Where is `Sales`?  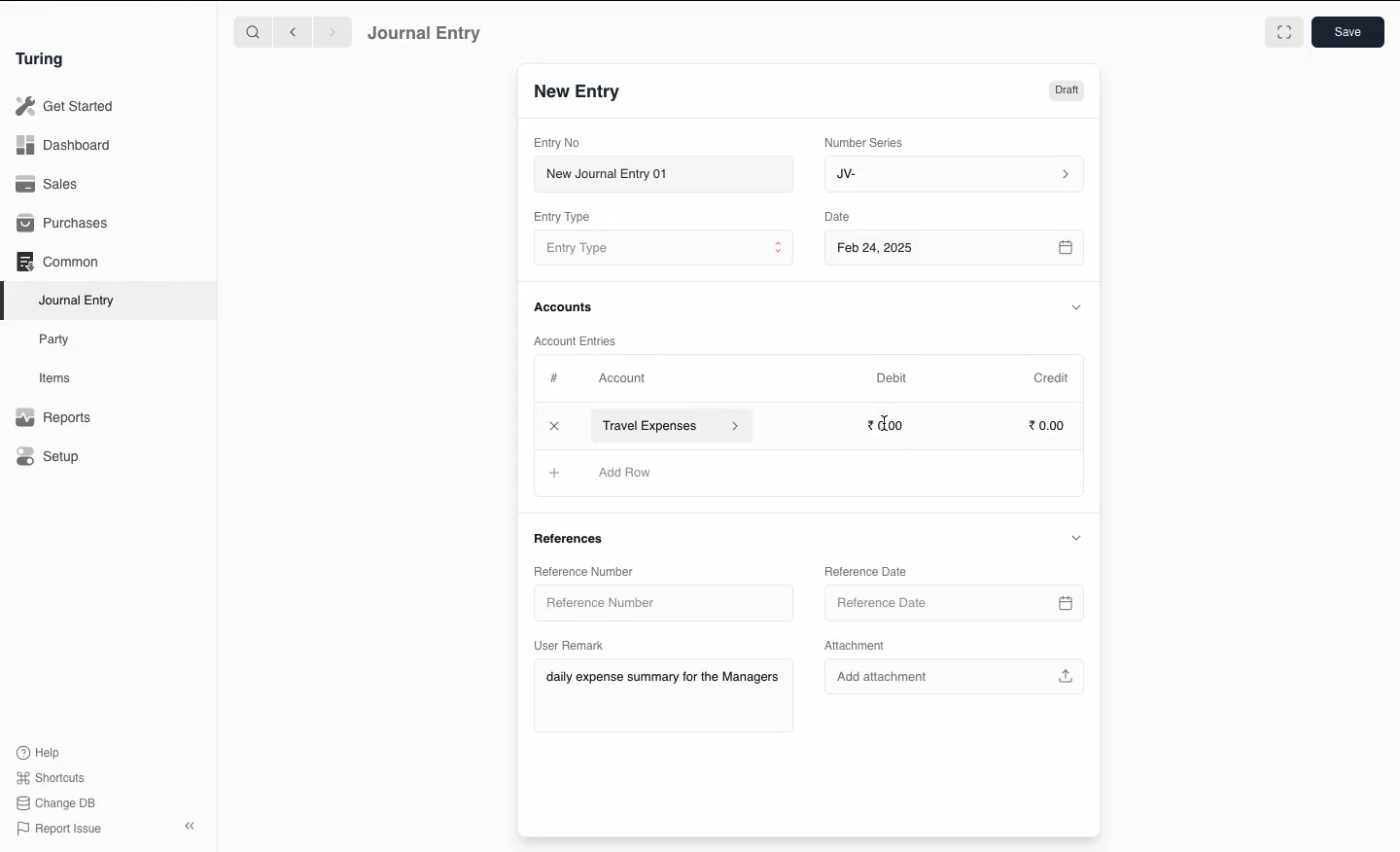
Sales is located at coordinates (50, 184).